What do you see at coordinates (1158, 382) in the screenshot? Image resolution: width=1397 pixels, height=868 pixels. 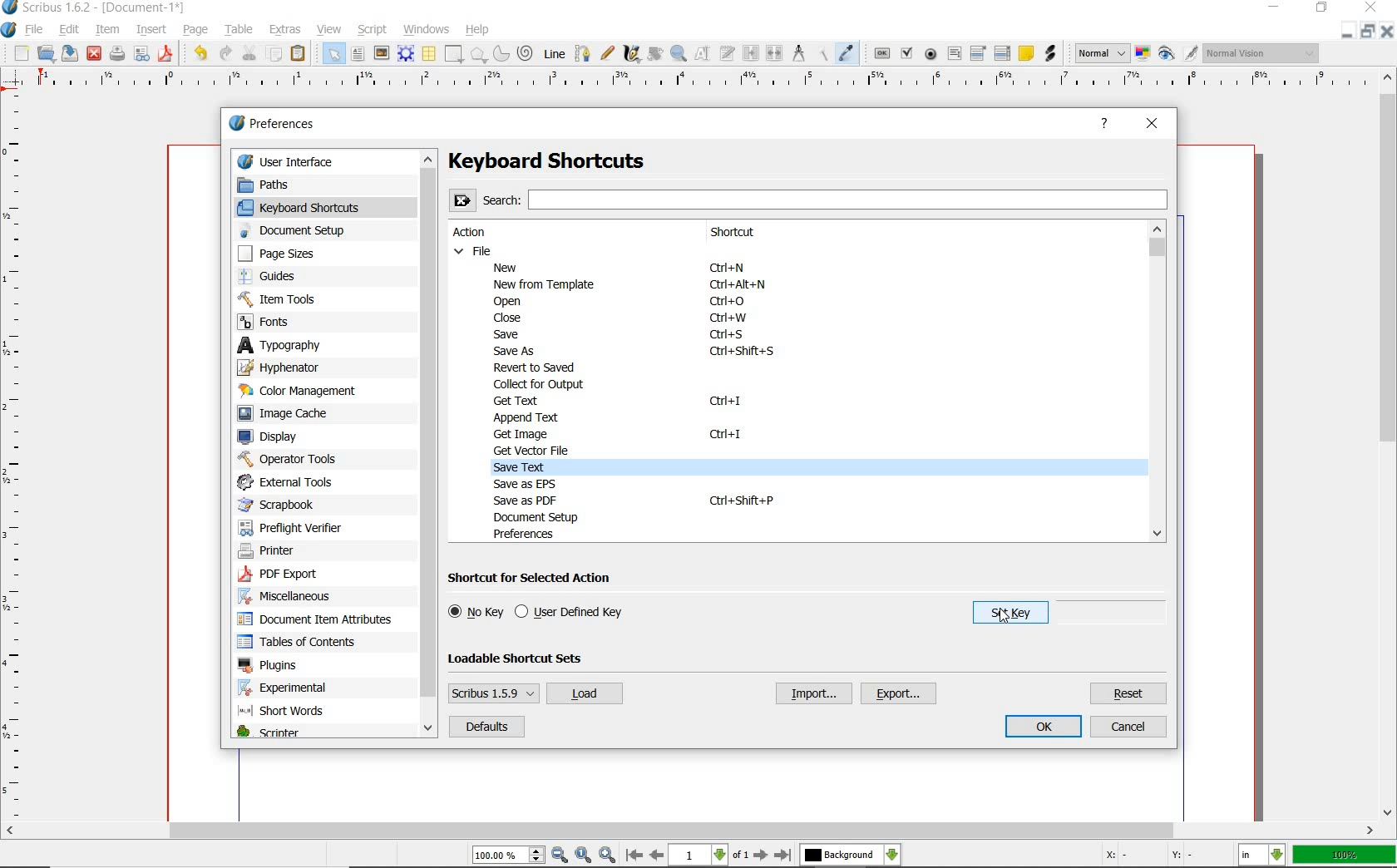 I see `scrollbar` at bounding box center [1158, 382].